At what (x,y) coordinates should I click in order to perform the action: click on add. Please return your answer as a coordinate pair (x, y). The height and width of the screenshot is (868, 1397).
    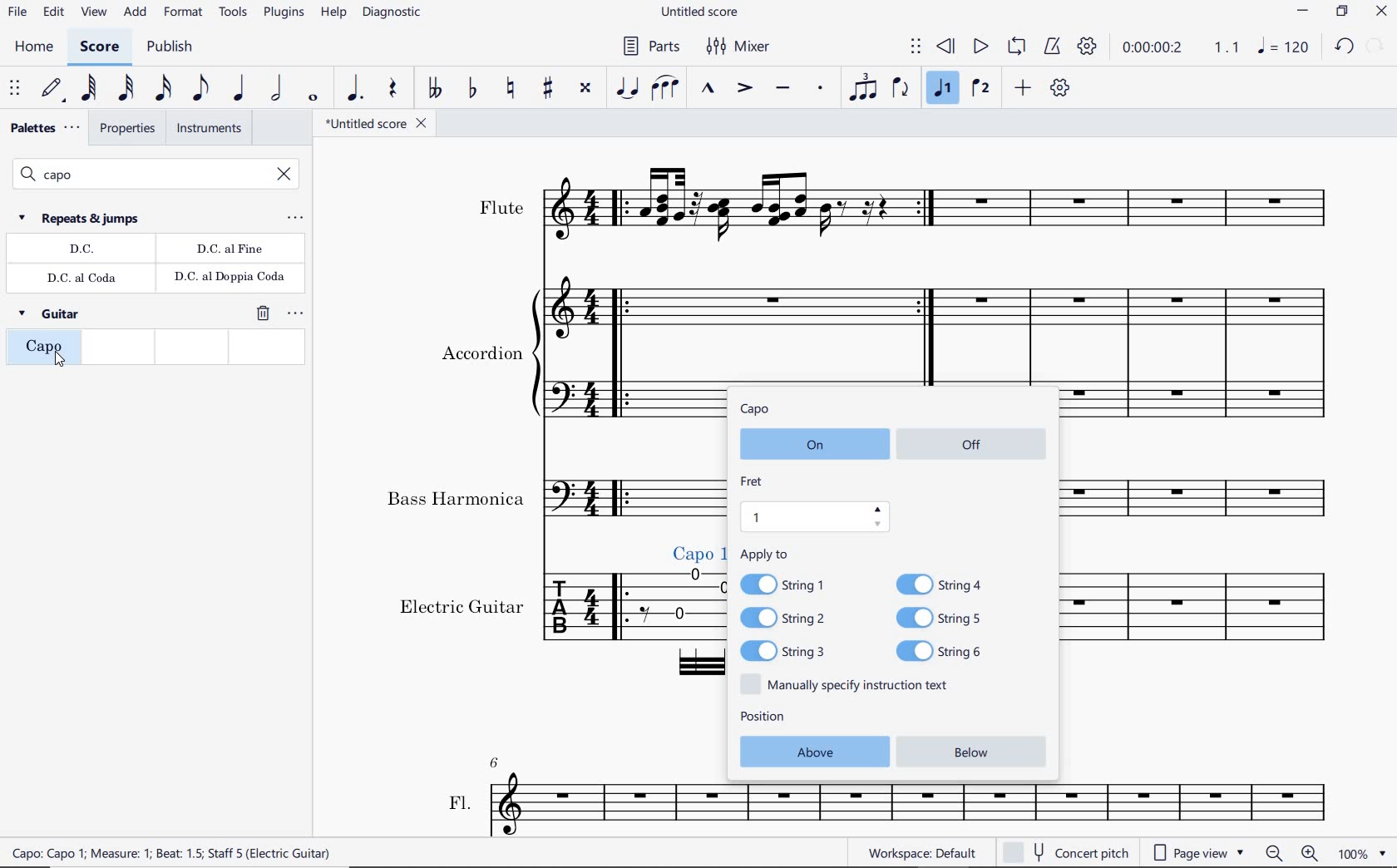
    Looking at the image, I should click on (1025, 89).